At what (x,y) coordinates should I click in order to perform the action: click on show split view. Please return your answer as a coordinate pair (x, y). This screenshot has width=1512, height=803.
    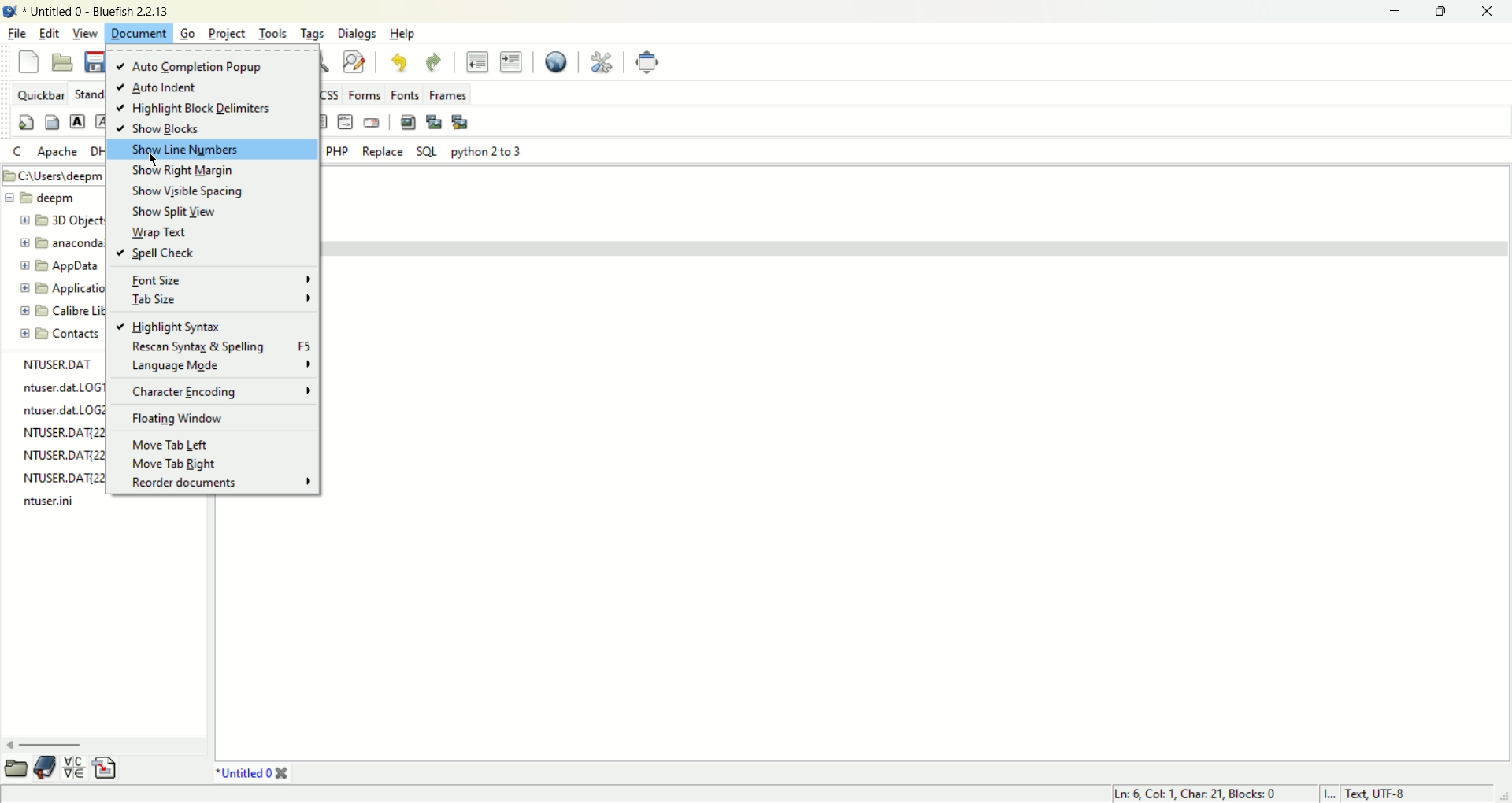
    Looking at the image, I should click on (175, 211).